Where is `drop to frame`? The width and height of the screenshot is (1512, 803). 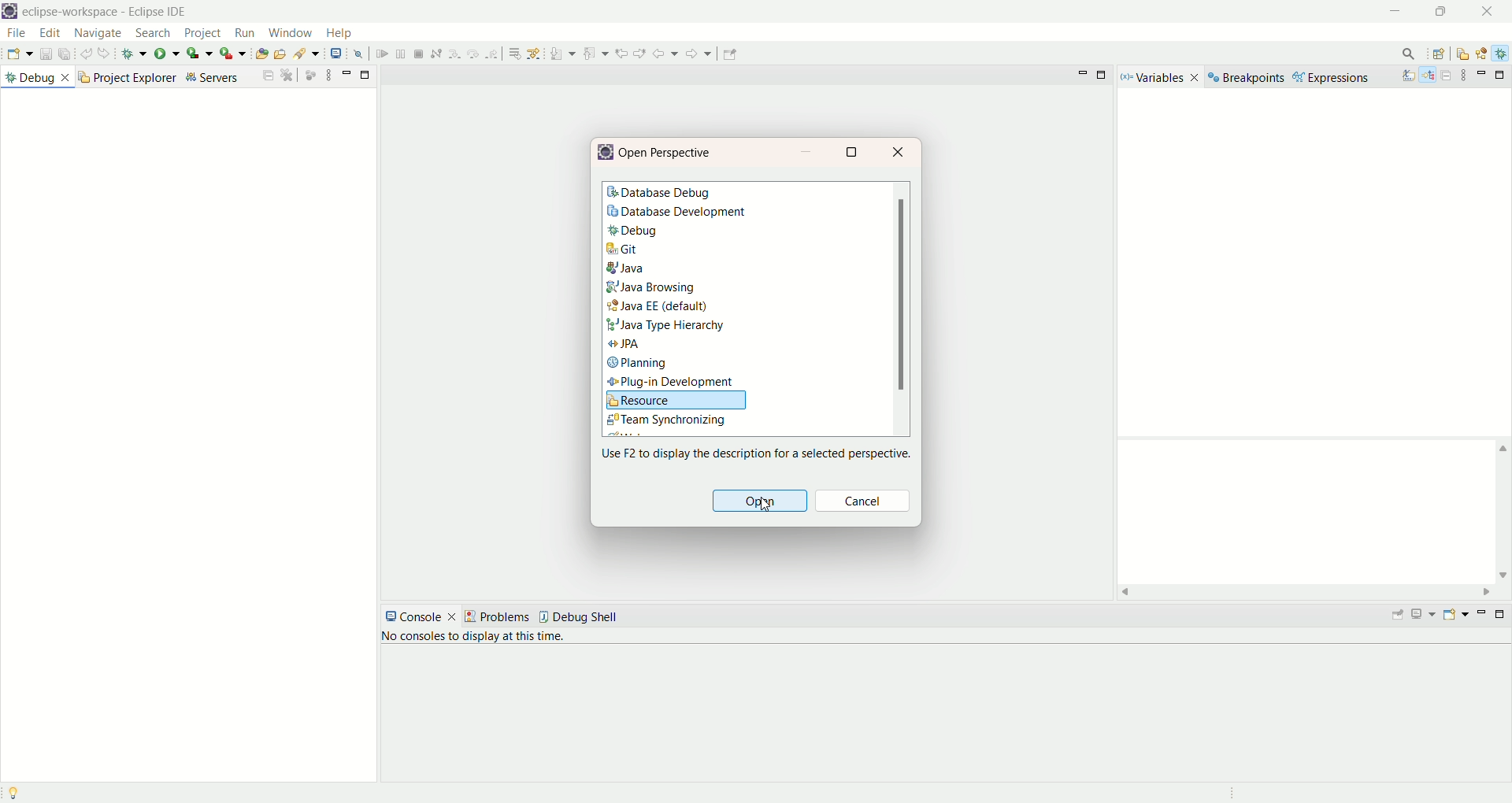
drop to frame is located at coordinates (627, 55).